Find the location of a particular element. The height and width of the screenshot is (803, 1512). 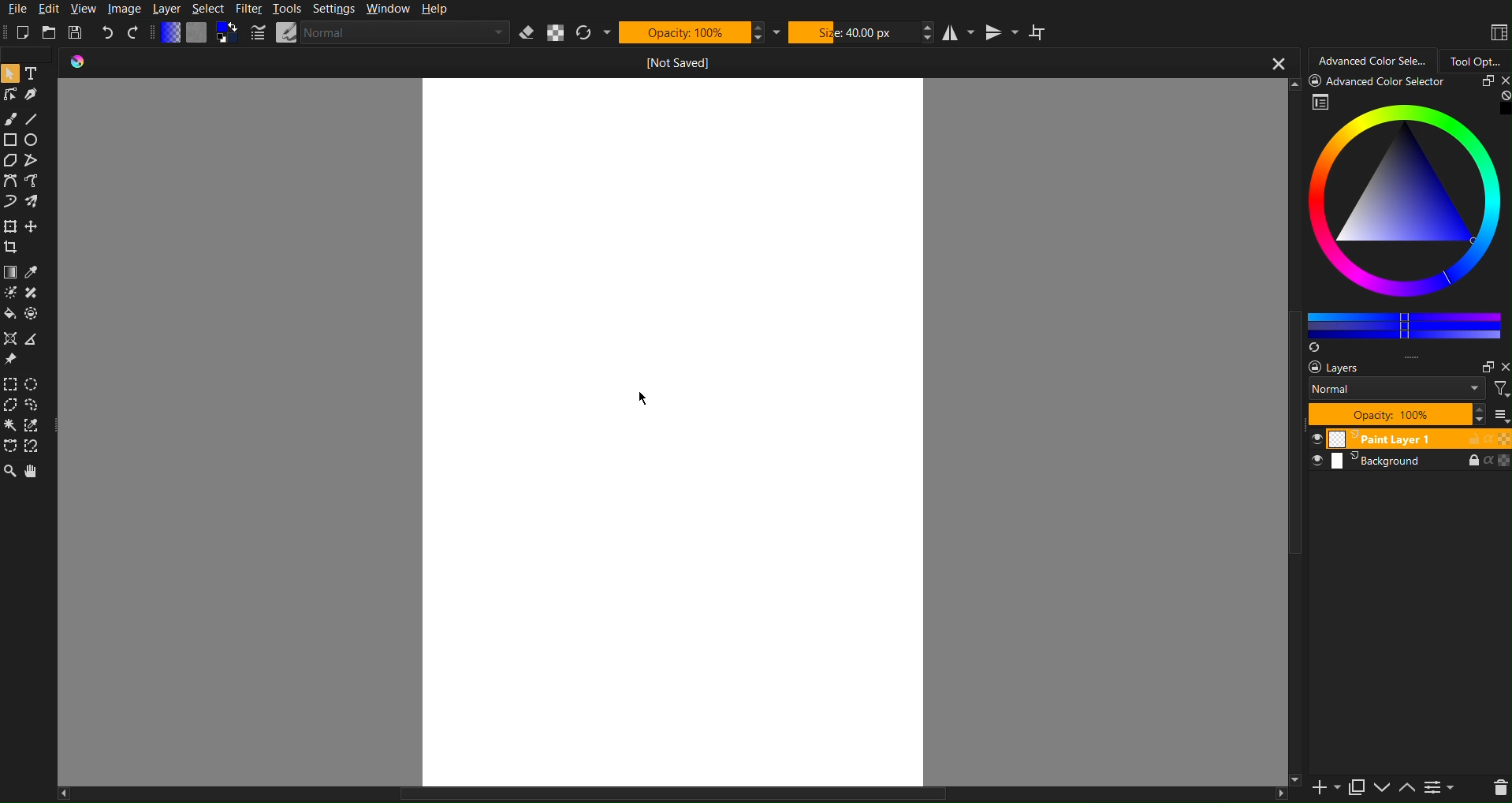

Normal is located at coordinates (378, 32).